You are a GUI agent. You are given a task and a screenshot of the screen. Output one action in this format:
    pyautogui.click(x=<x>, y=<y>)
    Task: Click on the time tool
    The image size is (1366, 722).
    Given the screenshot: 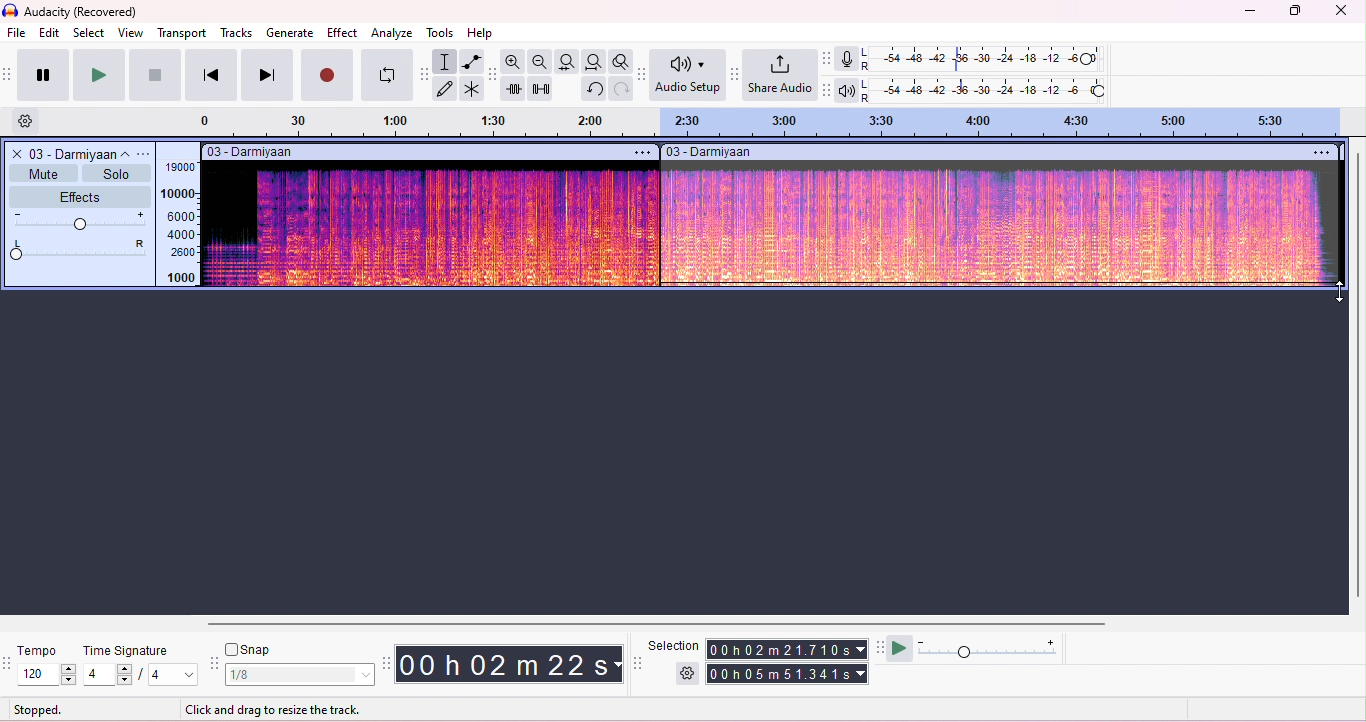 What is the action you would take?
    pyautogui.click(x=386, y=662)
    